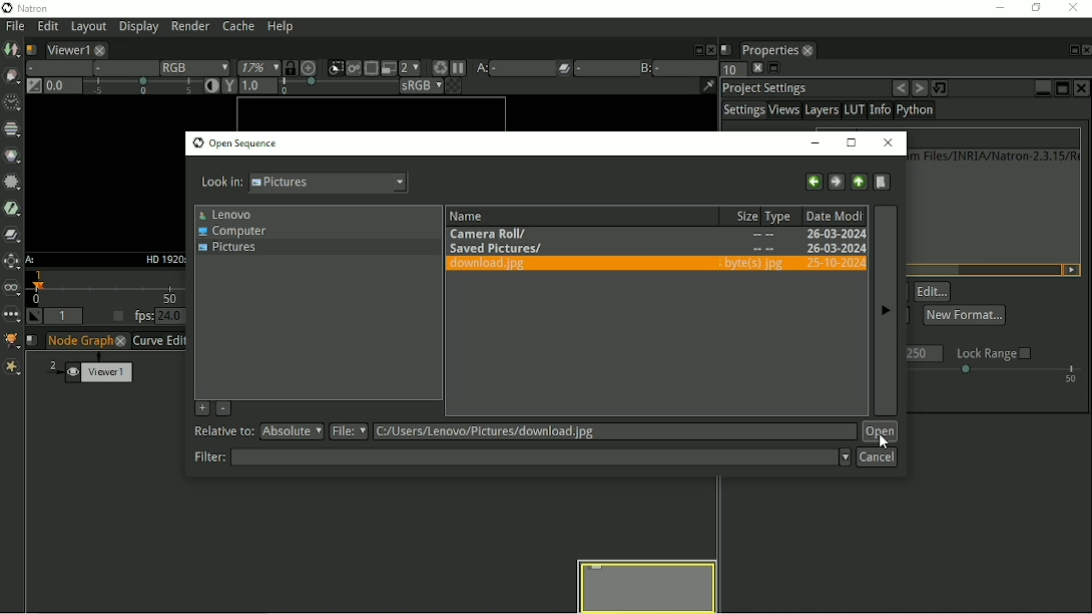 This screenshot has width=1092, height=614. Describe the element at coordinates (193, 27) in the screenshot. I see `Render` at that location.